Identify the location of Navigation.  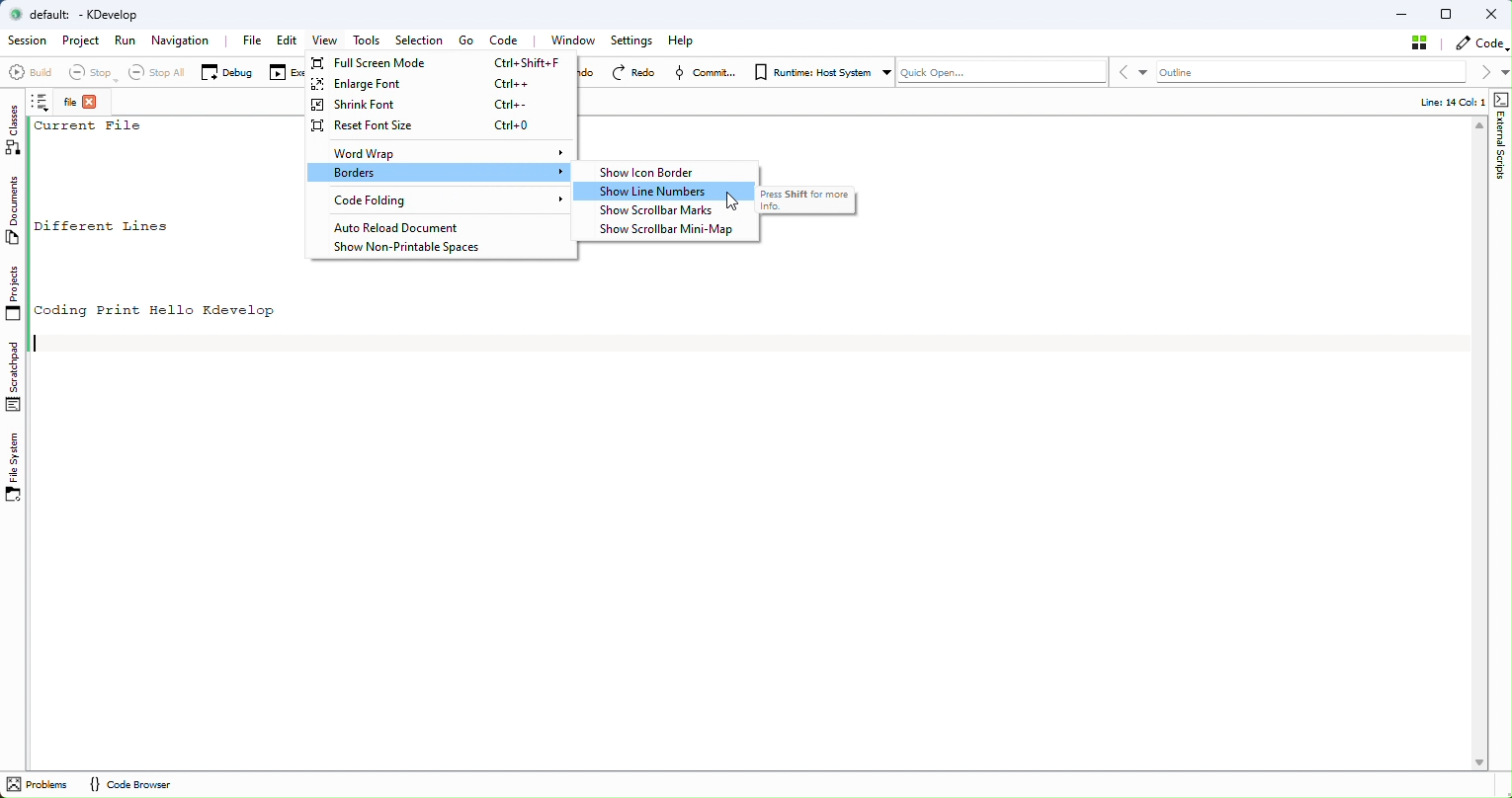
(184, 41).